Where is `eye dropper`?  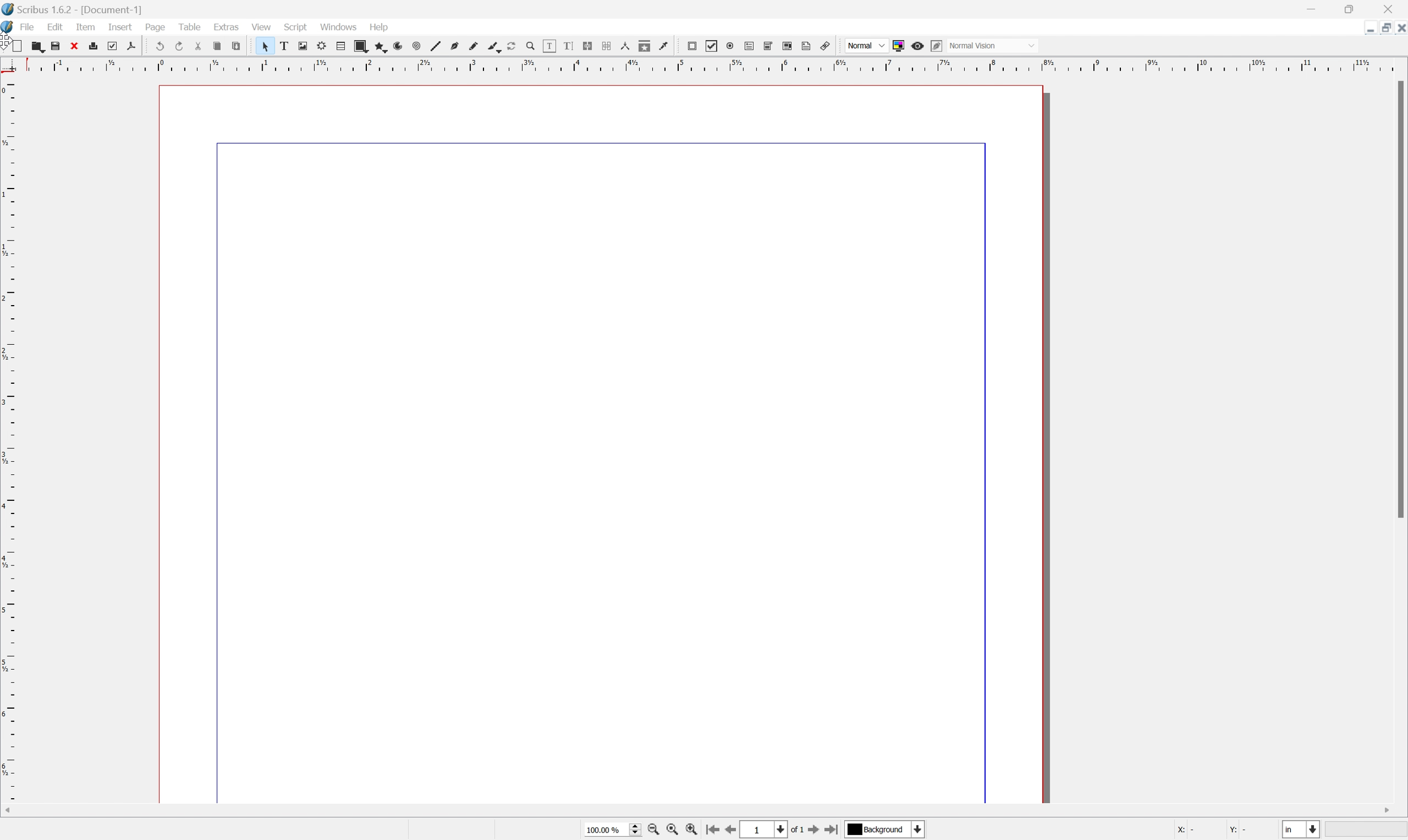
eye dropper is located at coordinates (665, 46).